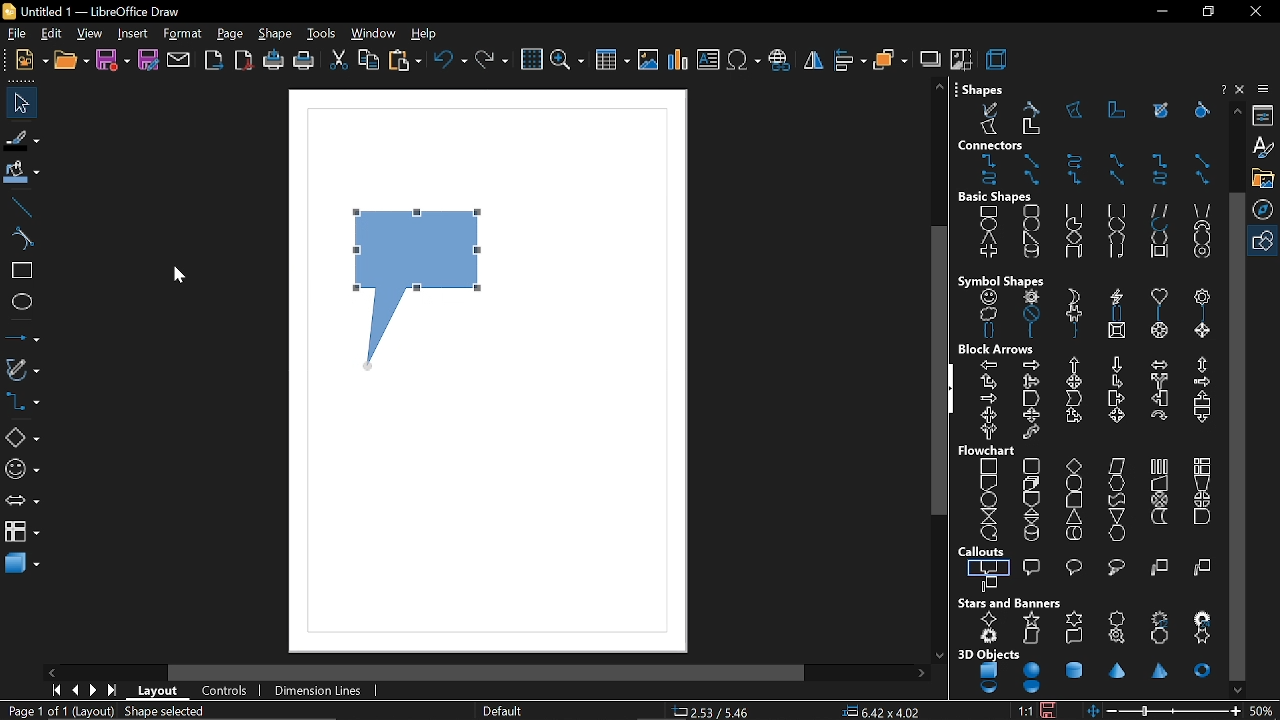 The height and width of the screenshot is (720, 1280). What do you see at coordinates (18, 237) in the screenshot?
I see `curve` at bounding box center [18, 237].